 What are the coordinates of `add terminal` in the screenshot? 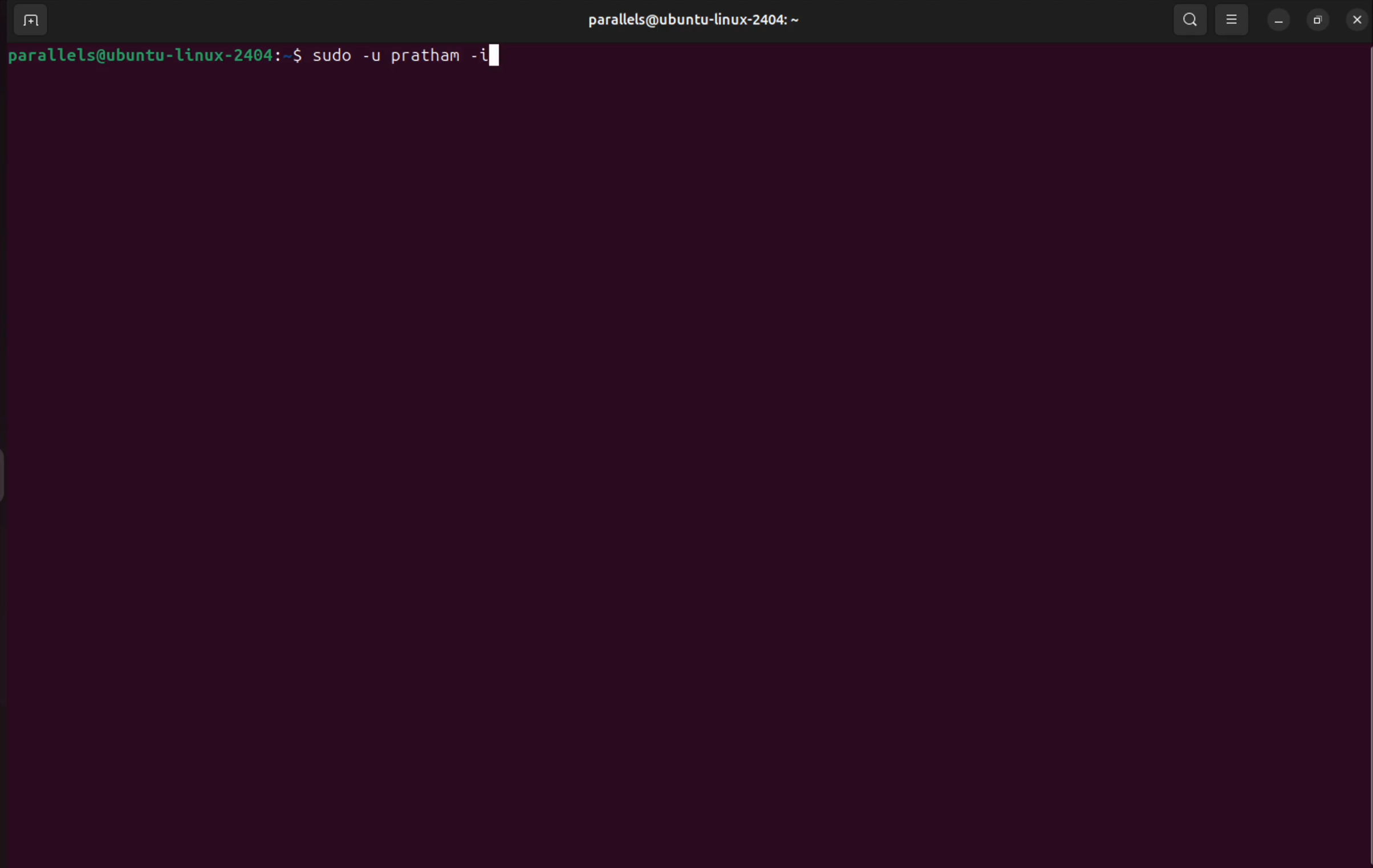 It's located at (28, 21).